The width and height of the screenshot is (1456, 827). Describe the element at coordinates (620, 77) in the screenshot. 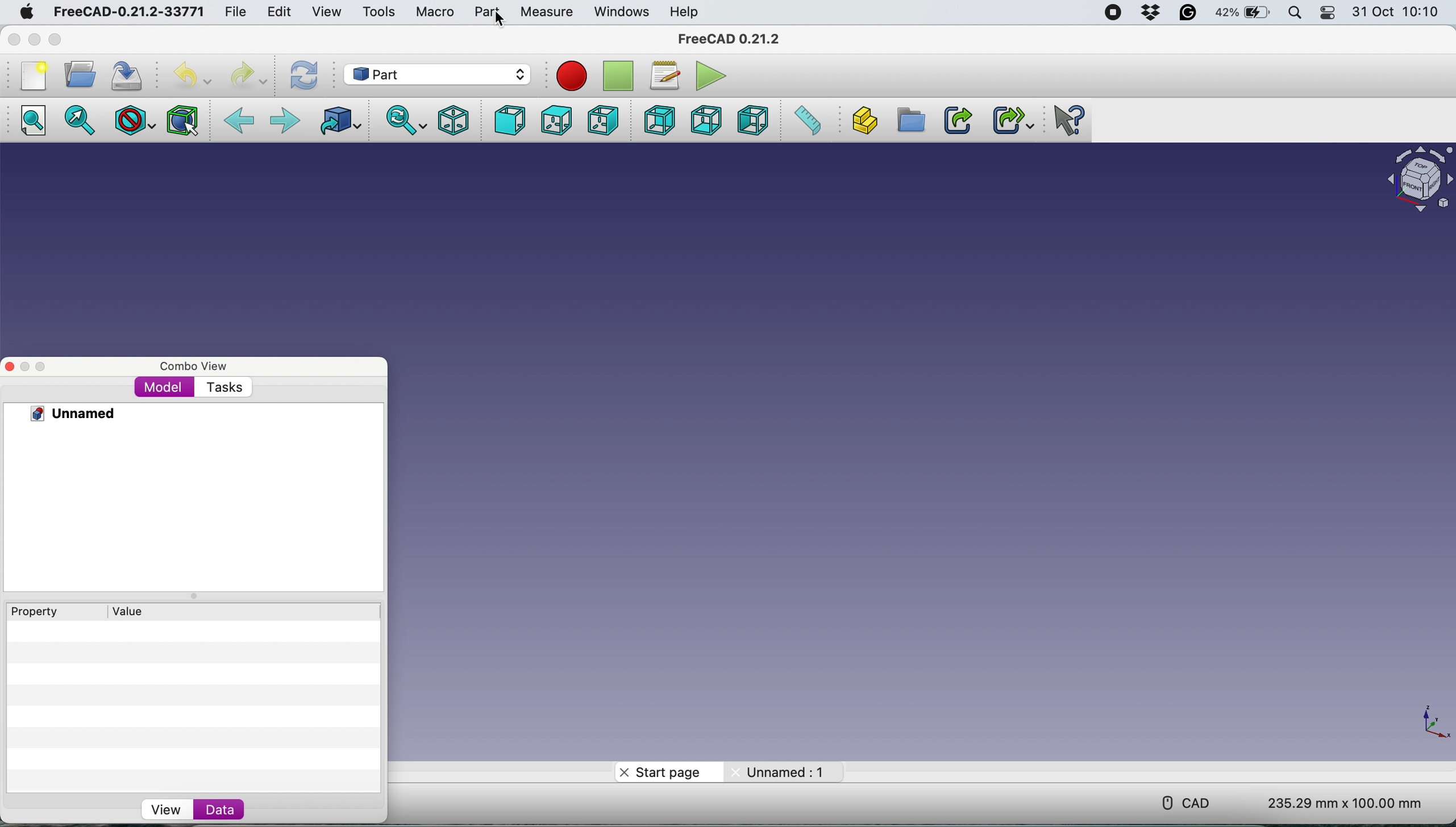

I see `Stop recording macros` at that location.